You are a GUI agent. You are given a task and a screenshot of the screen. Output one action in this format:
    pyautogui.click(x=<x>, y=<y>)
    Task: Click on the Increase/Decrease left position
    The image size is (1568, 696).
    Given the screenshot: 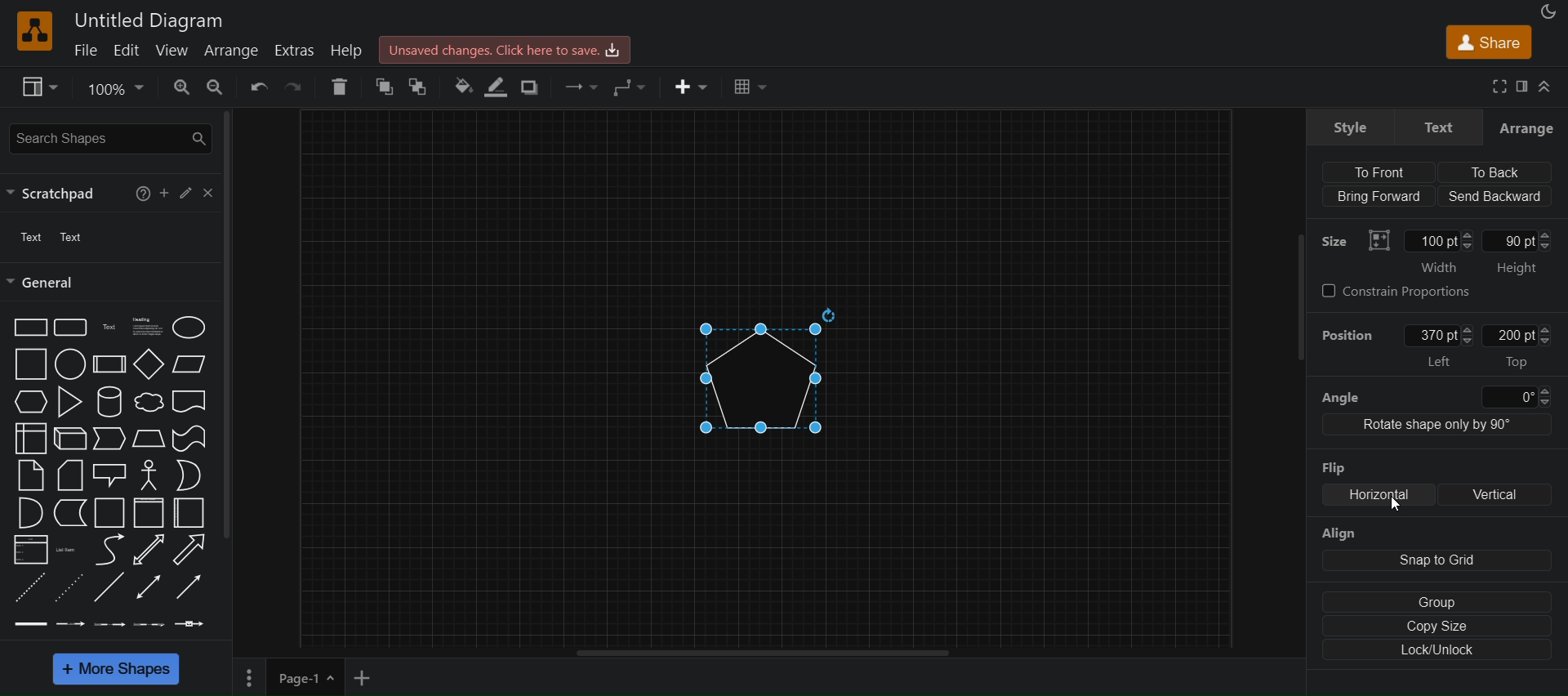 What is the action you would take?
    pyautogui.click(x=1467, y=335)
    